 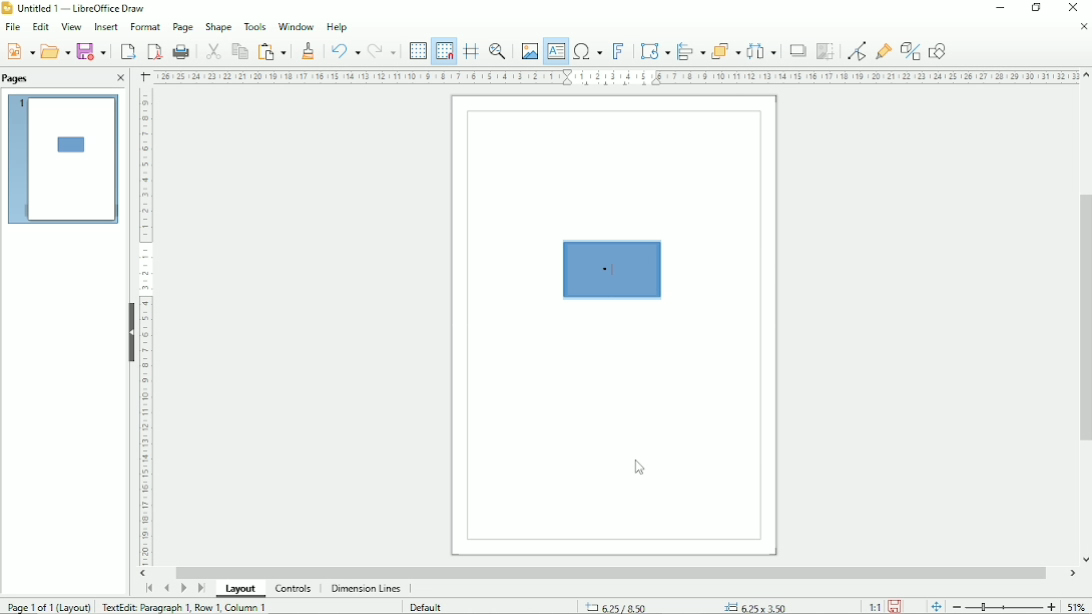 I want to click on Save, so click(x=20, y=51).